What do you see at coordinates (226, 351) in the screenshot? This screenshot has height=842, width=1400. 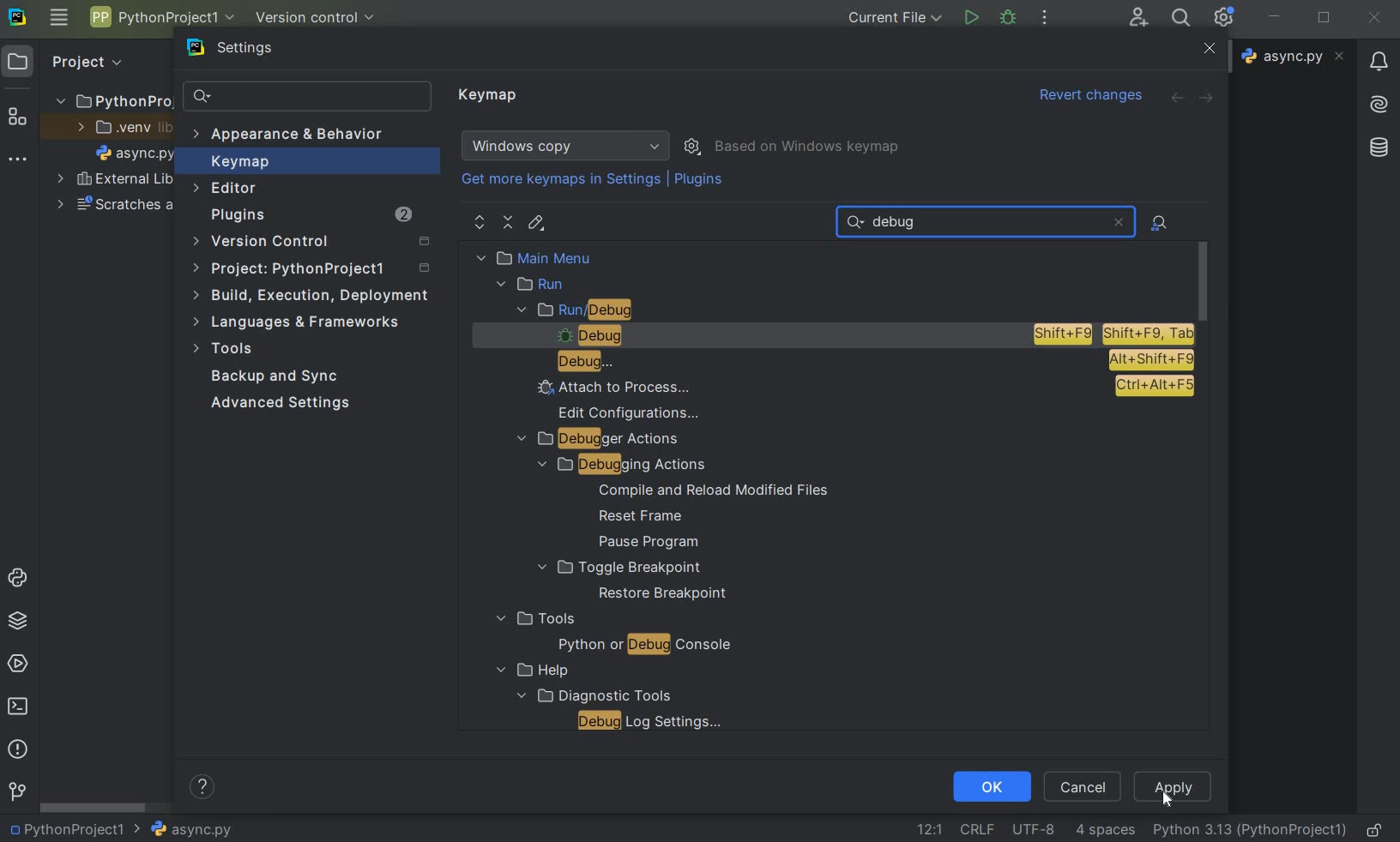 I see `tools` at bounding box center [226, 351].